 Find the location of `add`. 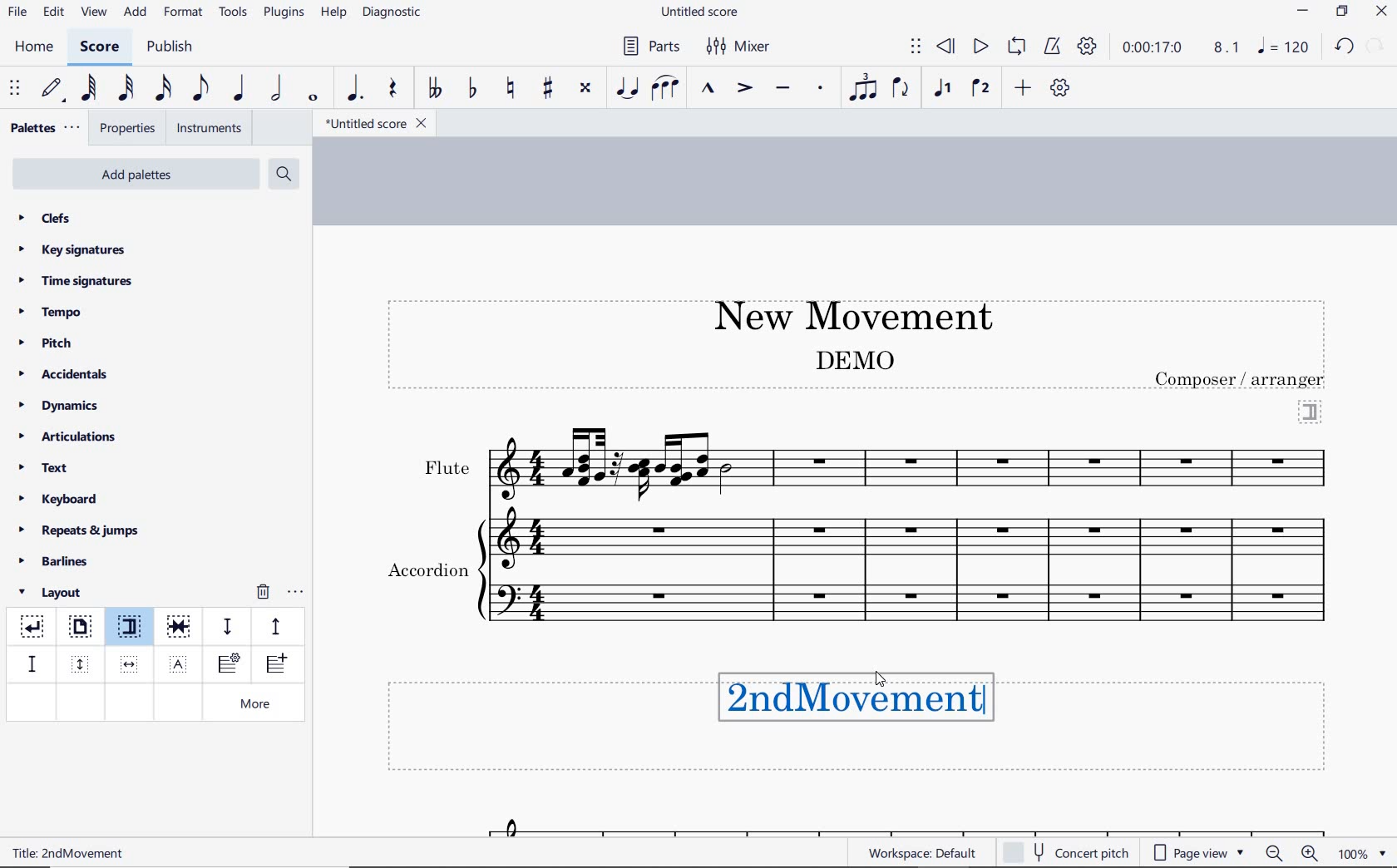

add is located at coordinates (1025, 87).